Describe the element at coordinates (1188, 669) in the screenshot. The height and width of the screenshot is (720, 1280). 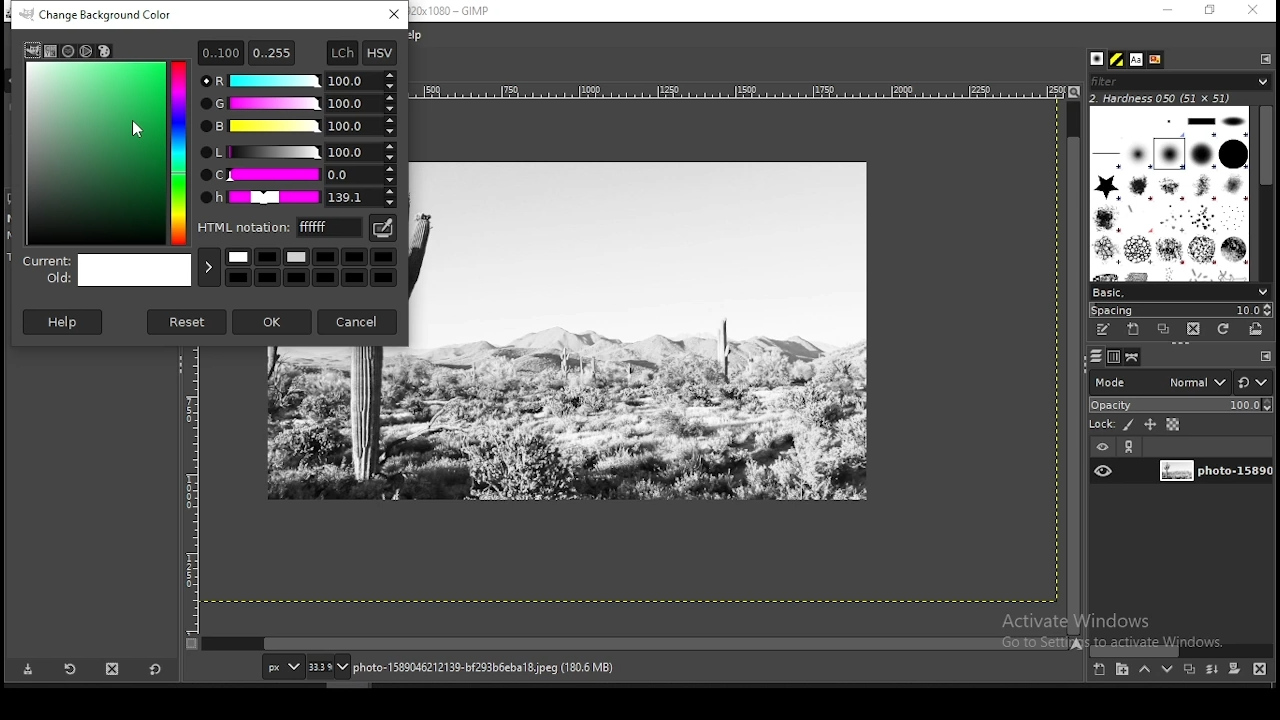
I see `duplicate this layer` at that location.